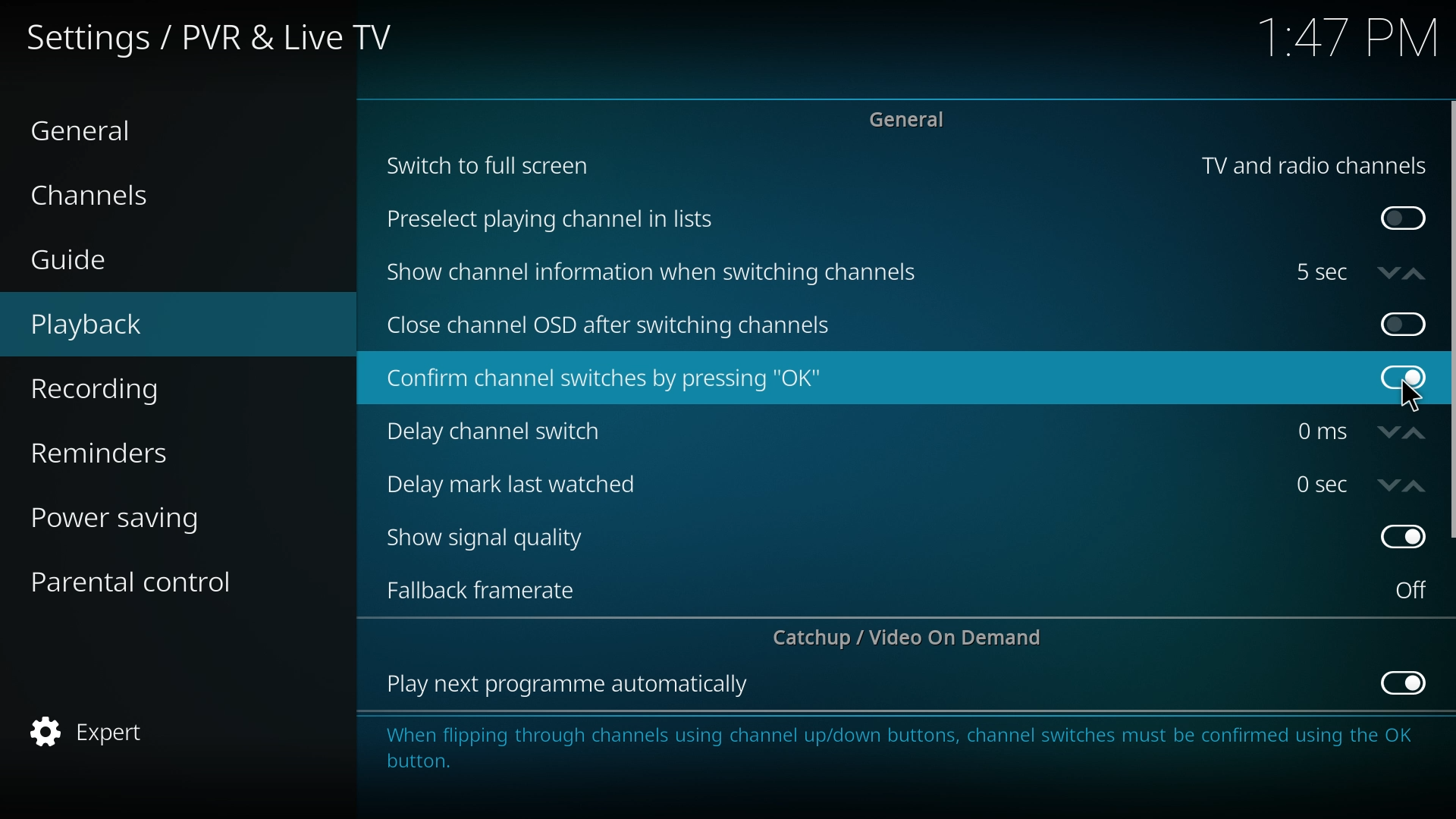  What do you see at coordinates (1450, 320) in the screenshot?
I see `scroll bar` at bounding box center [1450, 320].